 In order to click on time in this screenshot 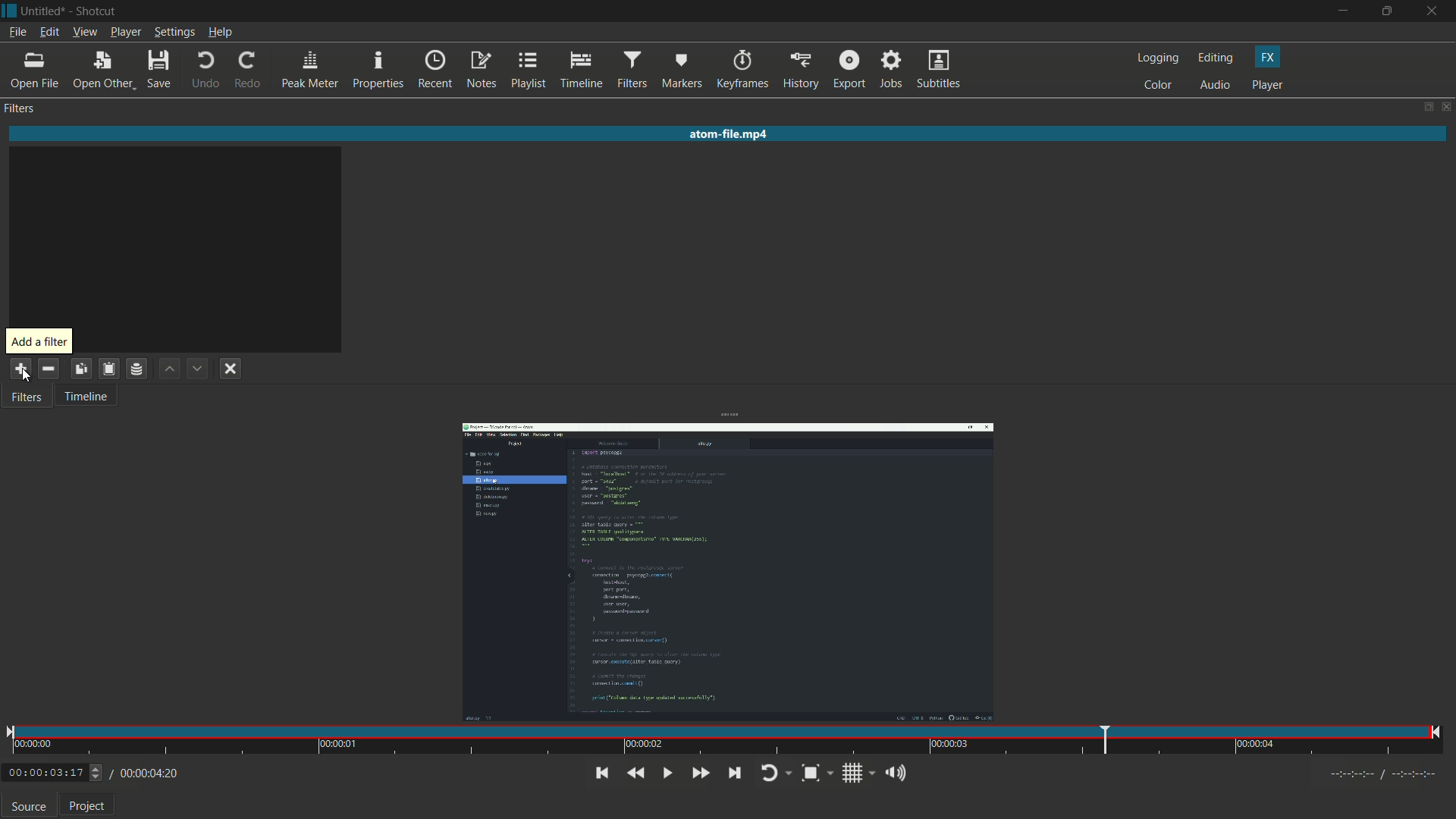, I will do `click(724, 742)`.